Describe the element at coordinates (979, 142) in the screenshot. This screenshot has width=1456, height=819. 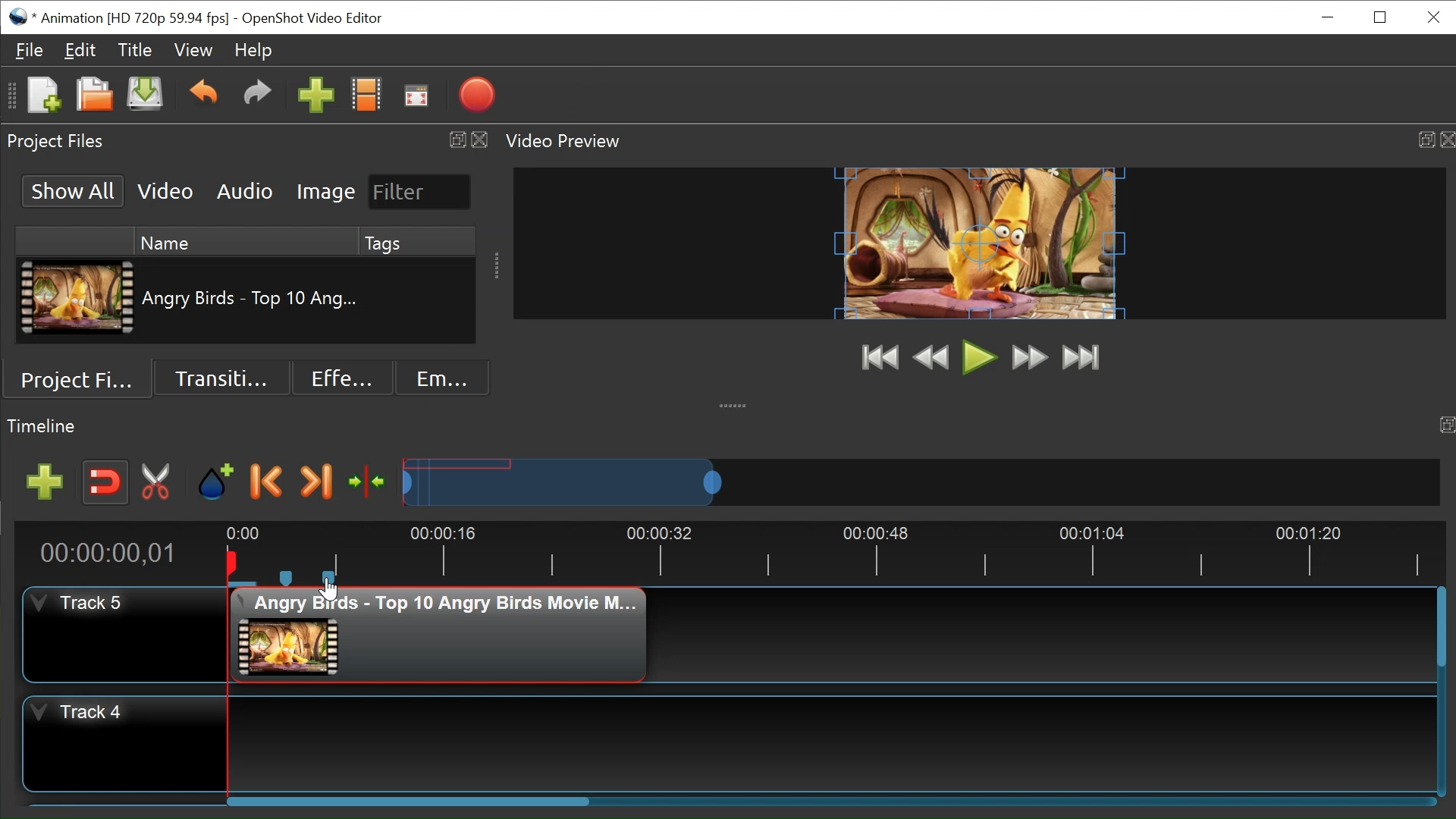
I see `Video Preview Panel` at that location.